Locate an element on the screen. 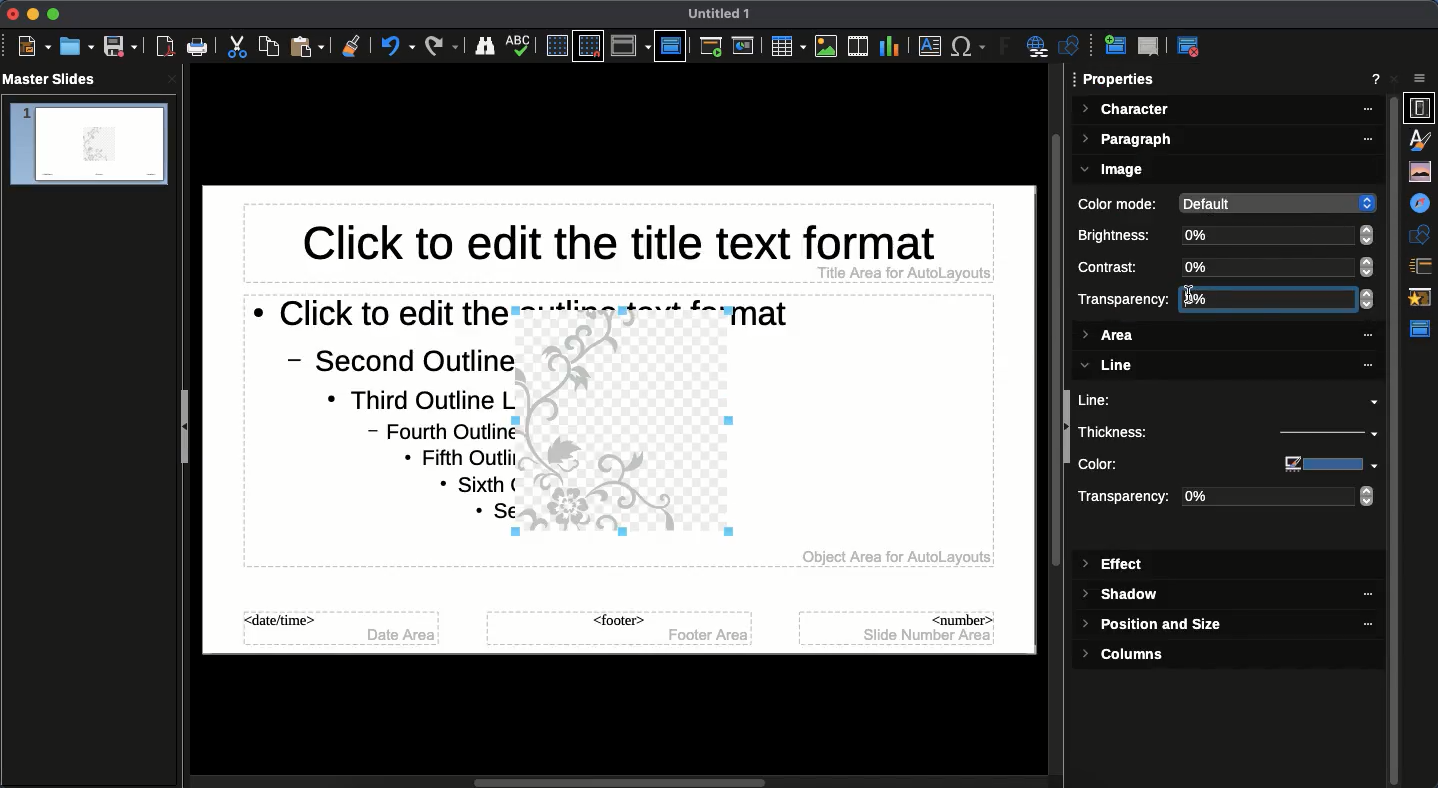  Spellcheck is located at coordinates (519, 44).